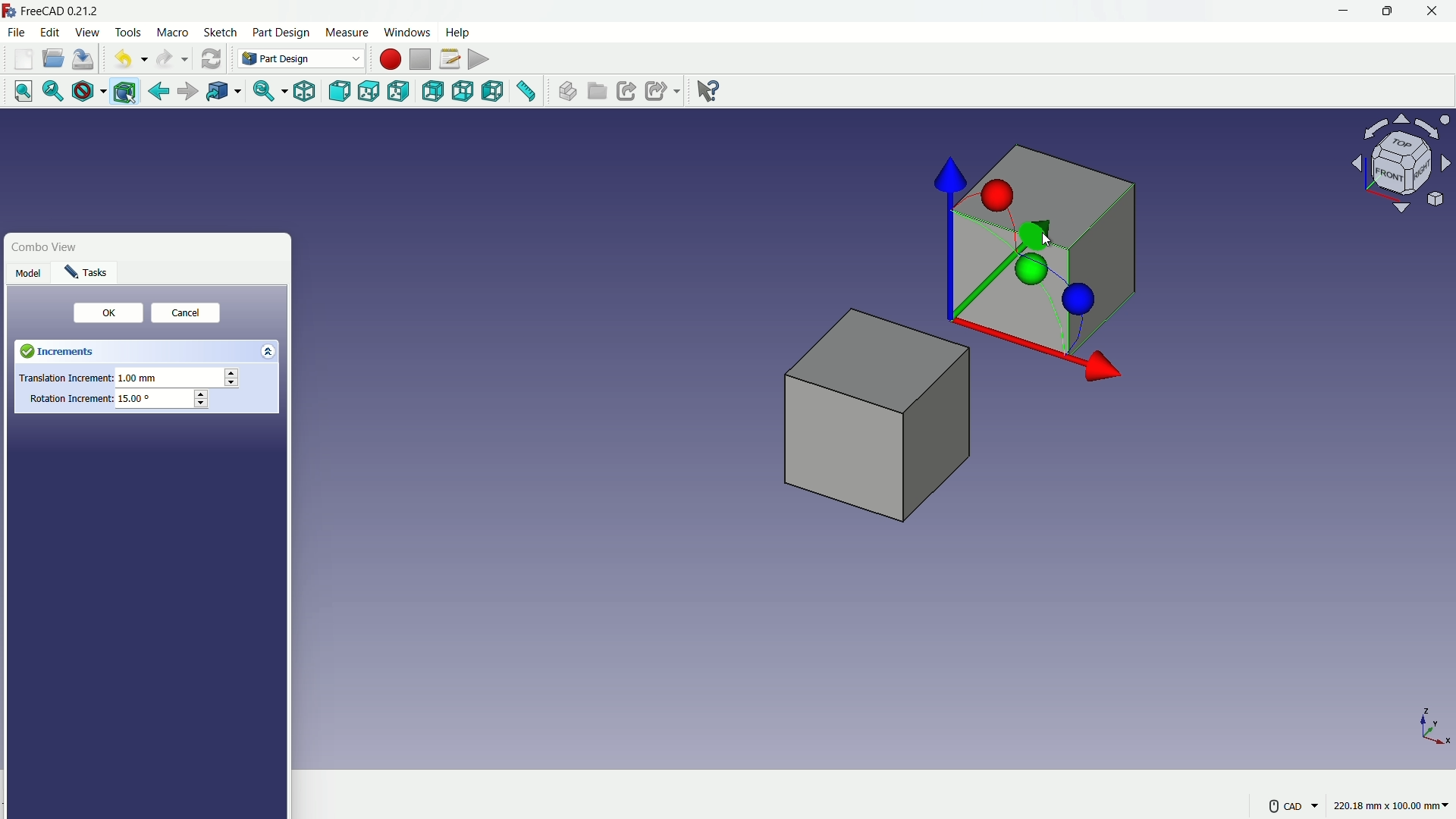  I want to click on Combo View, so click(55, 246).